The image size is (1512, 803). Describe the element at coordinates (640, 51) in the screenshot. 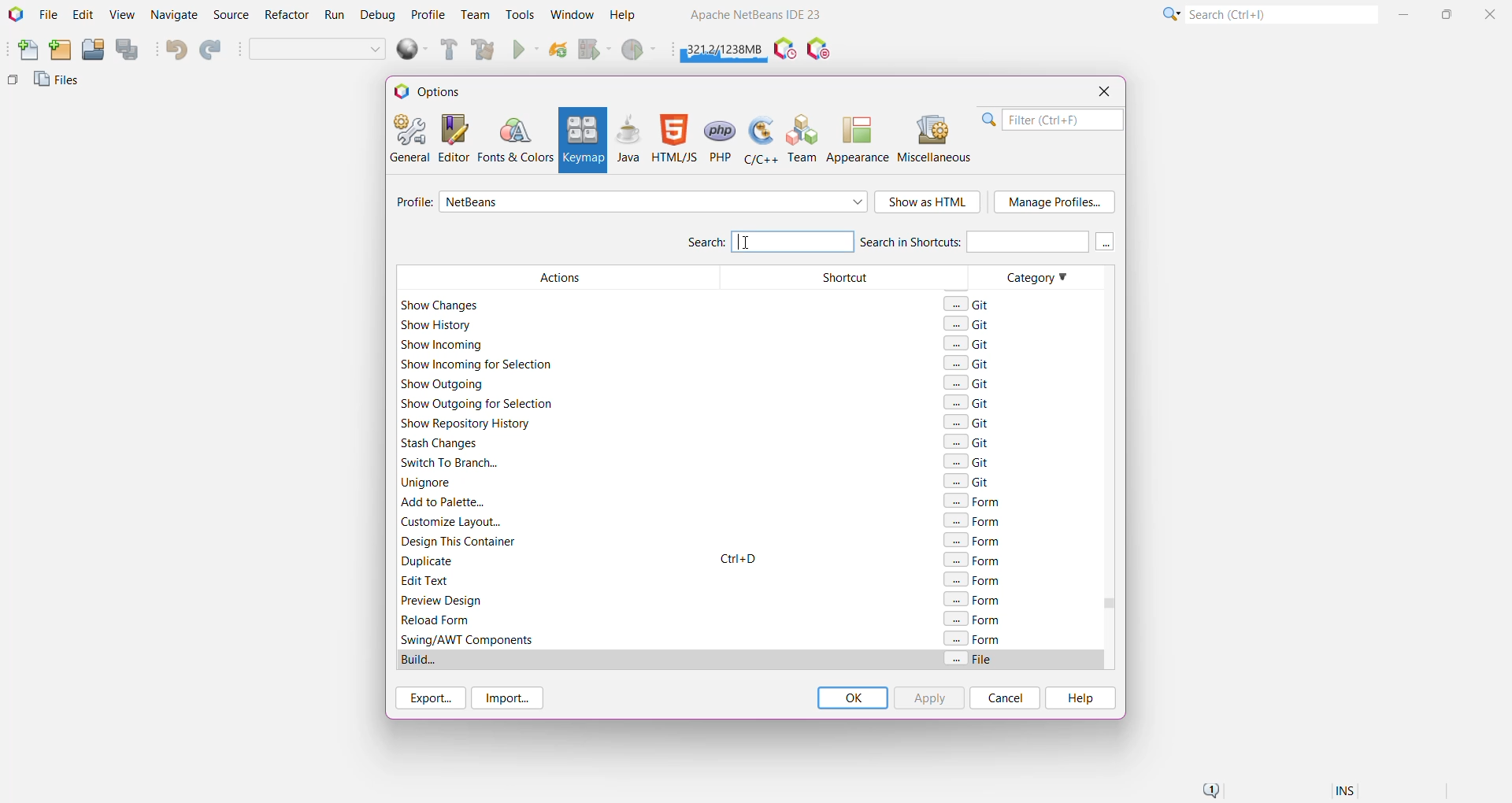

I see `Profile Main project` at that location.